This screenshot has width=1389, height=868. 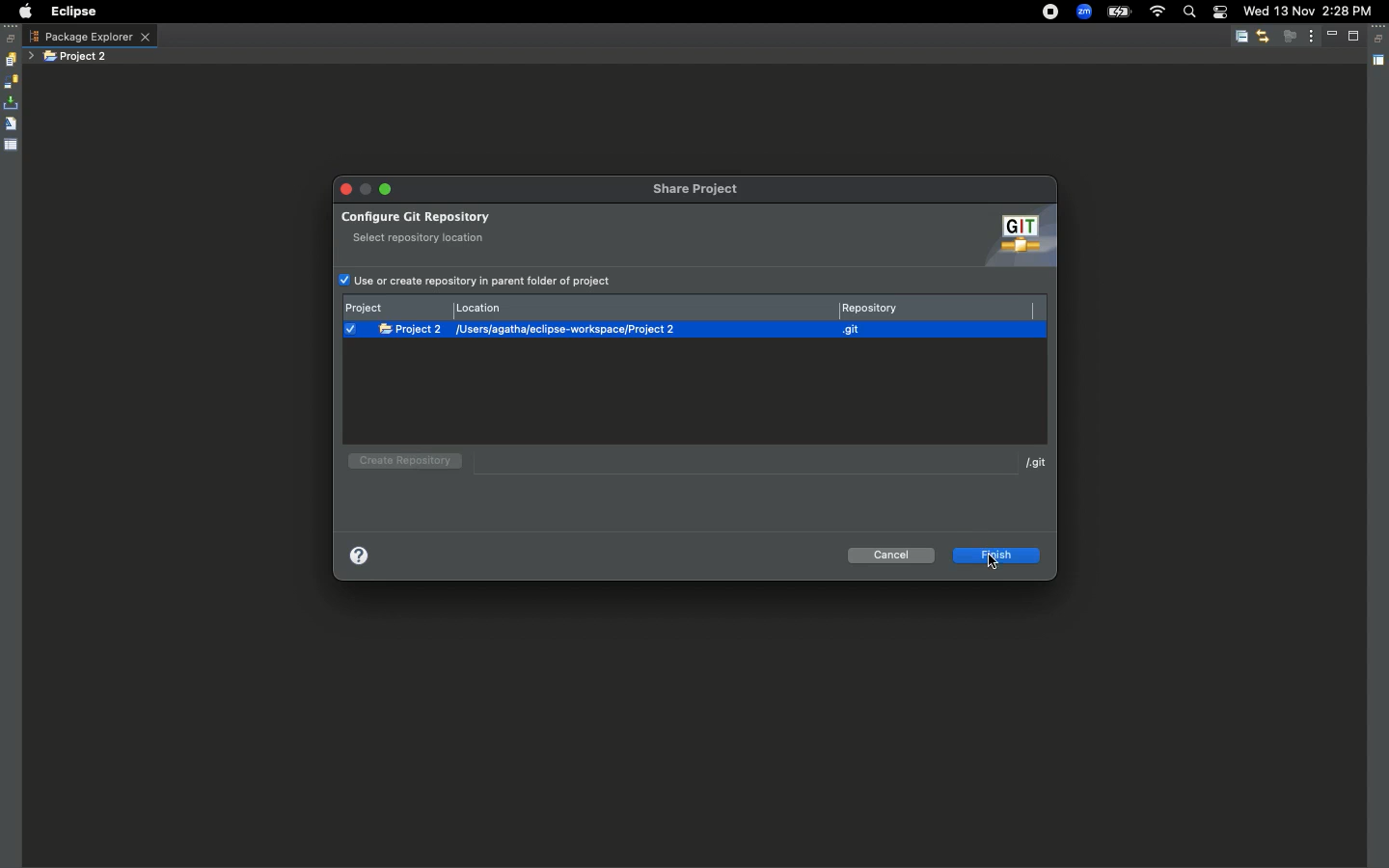 I want to click on Link with editor, so click(x=1263, y=36).